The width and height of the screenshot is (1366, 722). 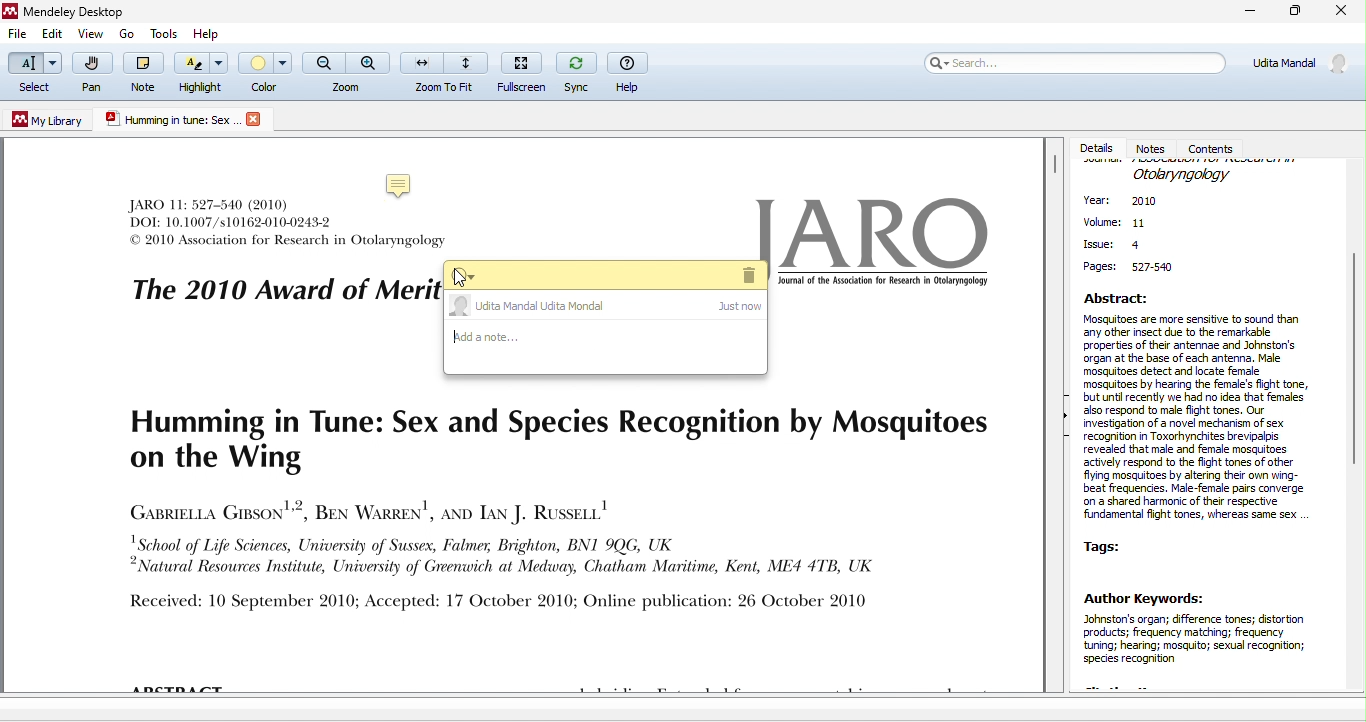 I want to click on zoom, so click(x=346, y=72).